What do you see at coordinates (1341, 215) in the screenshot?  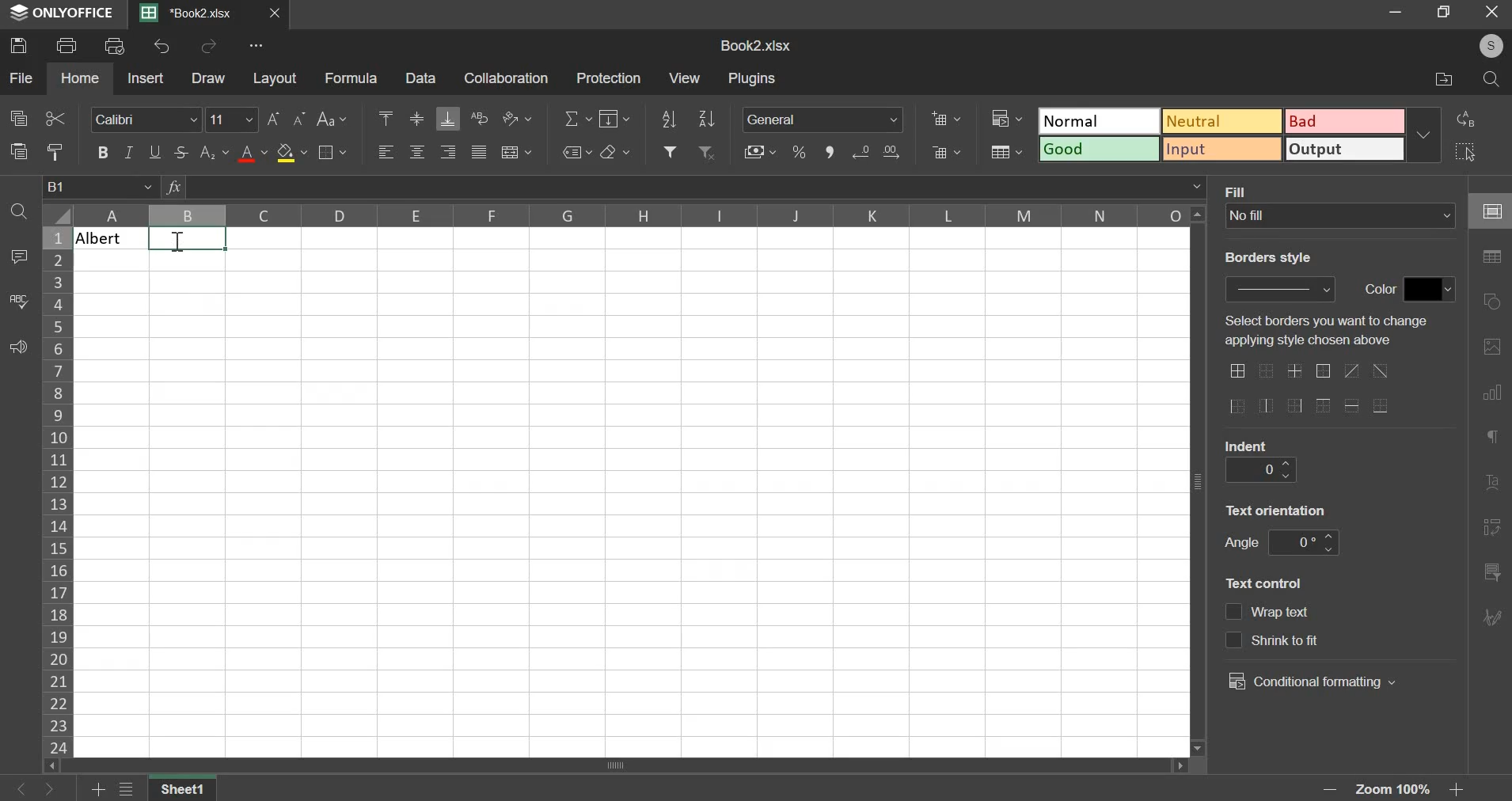 I see `background fill` at bounding box center [1341, 215].